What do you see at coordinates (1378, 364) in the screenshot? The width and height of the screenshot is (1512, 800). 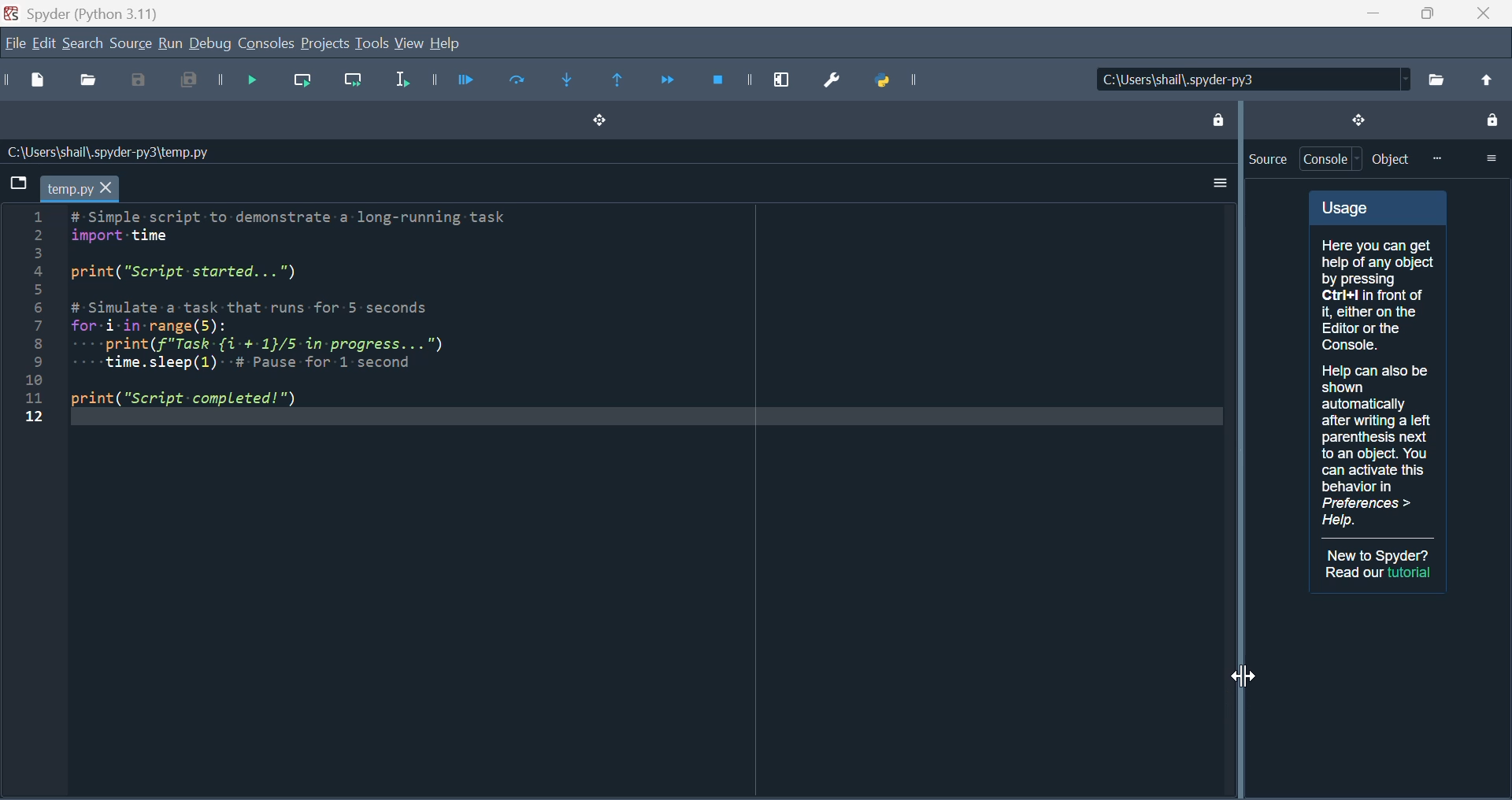 I see `Usage` at bounding box center [1378, 364].